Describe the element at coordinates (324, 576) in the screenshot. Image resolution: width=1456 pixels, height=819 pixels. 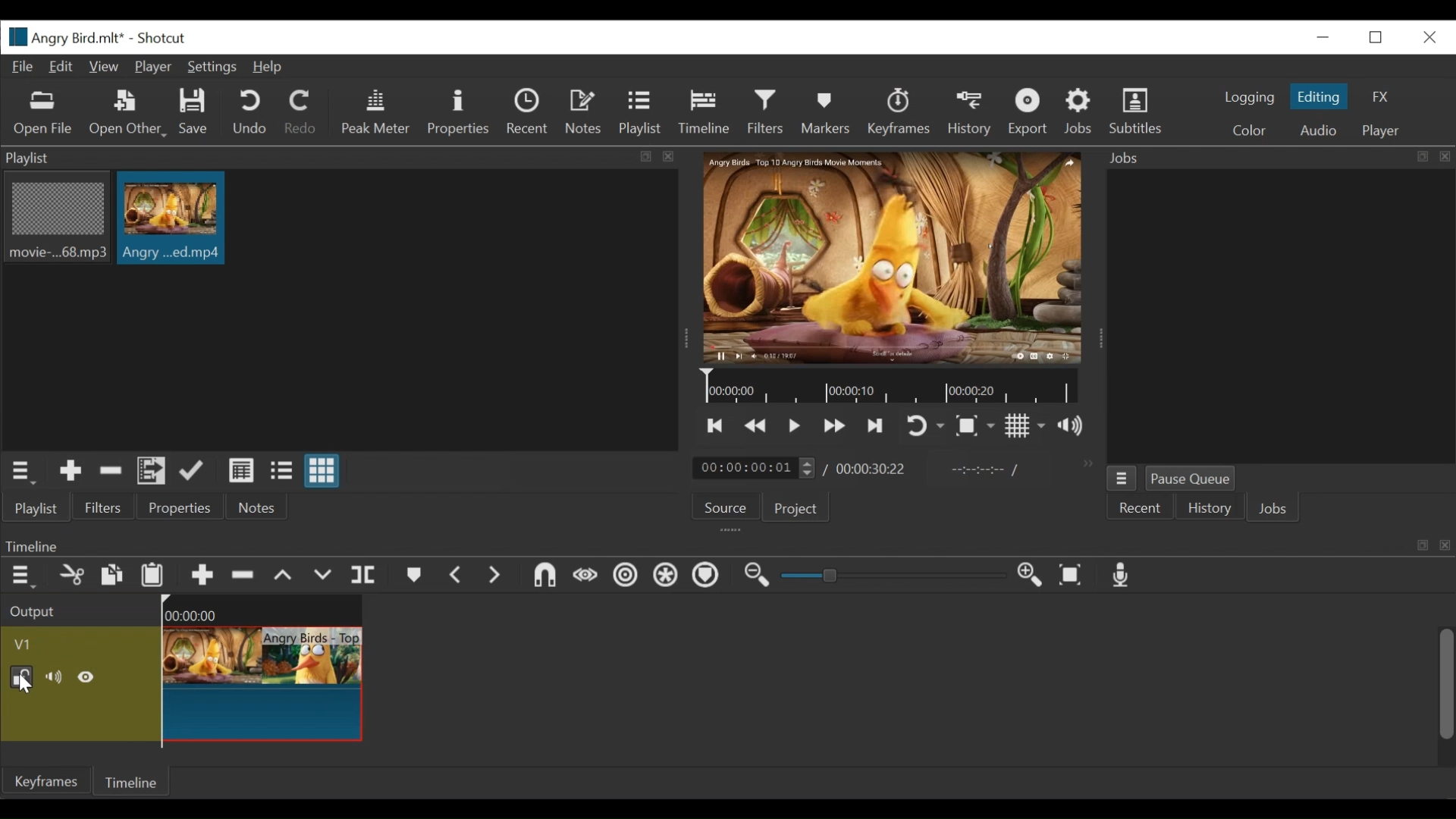
I see `Overwrite` at that location.